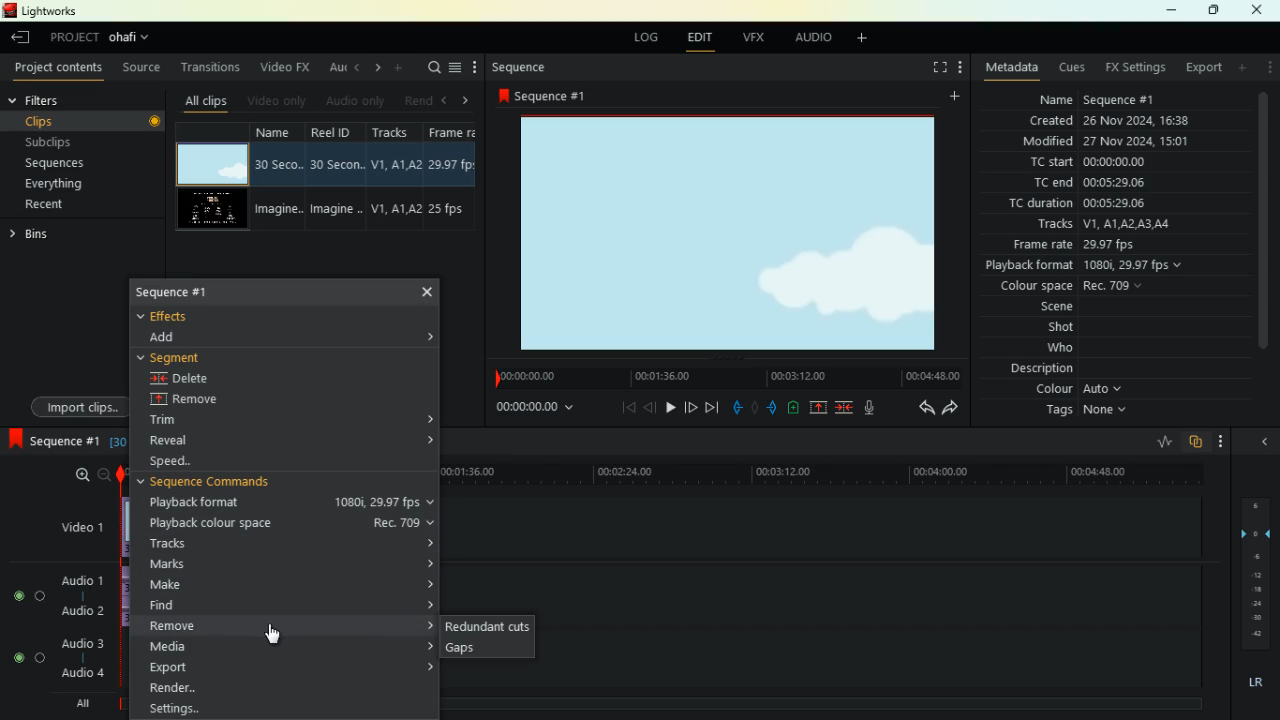 This screenshot has height=720, width=1280. Describe the element at coordinates (403, 69) in the screenshot. I see `more` at that location.